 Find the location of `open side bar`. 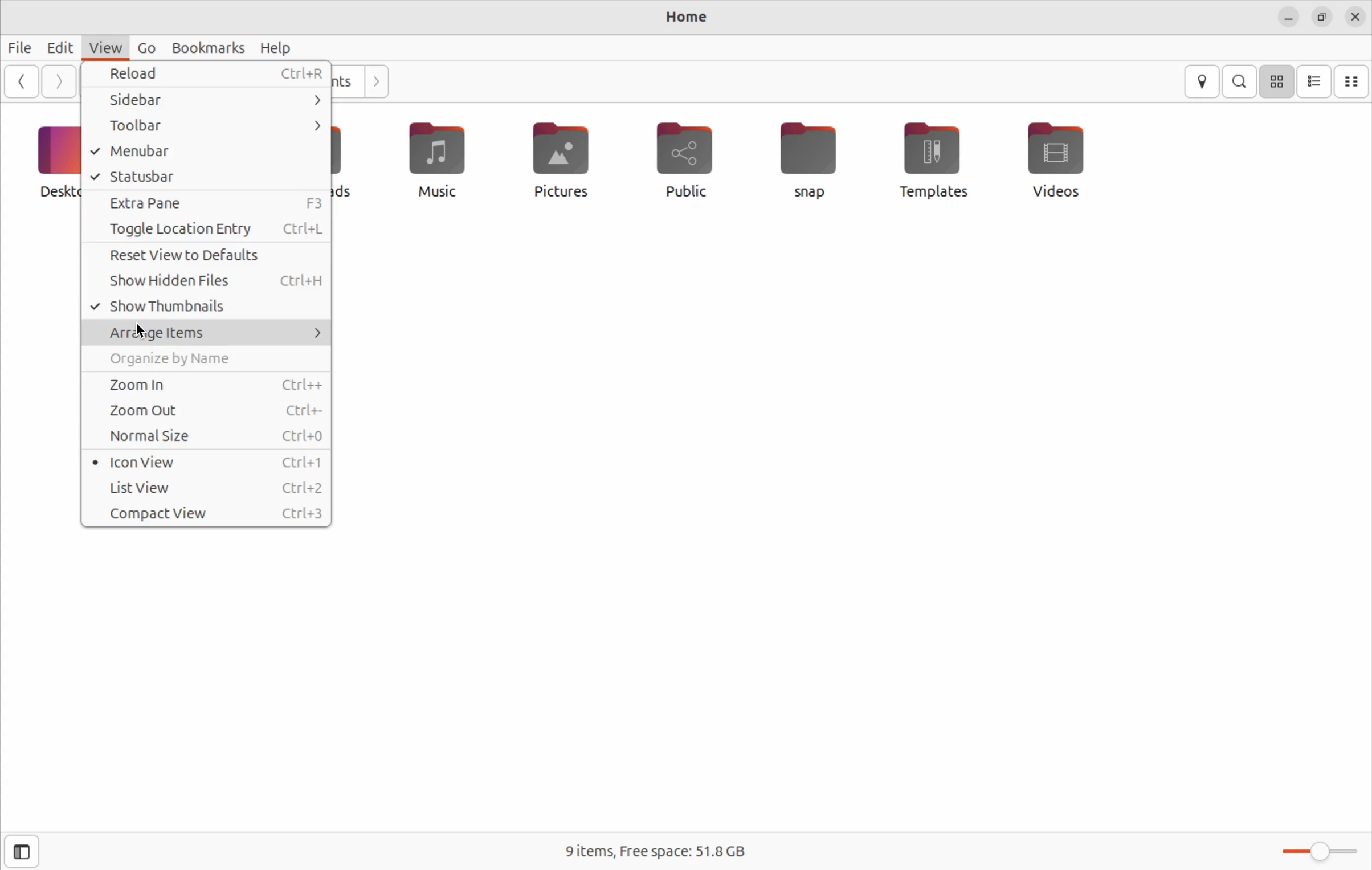

open side bar is located at coordinates (25, 850).